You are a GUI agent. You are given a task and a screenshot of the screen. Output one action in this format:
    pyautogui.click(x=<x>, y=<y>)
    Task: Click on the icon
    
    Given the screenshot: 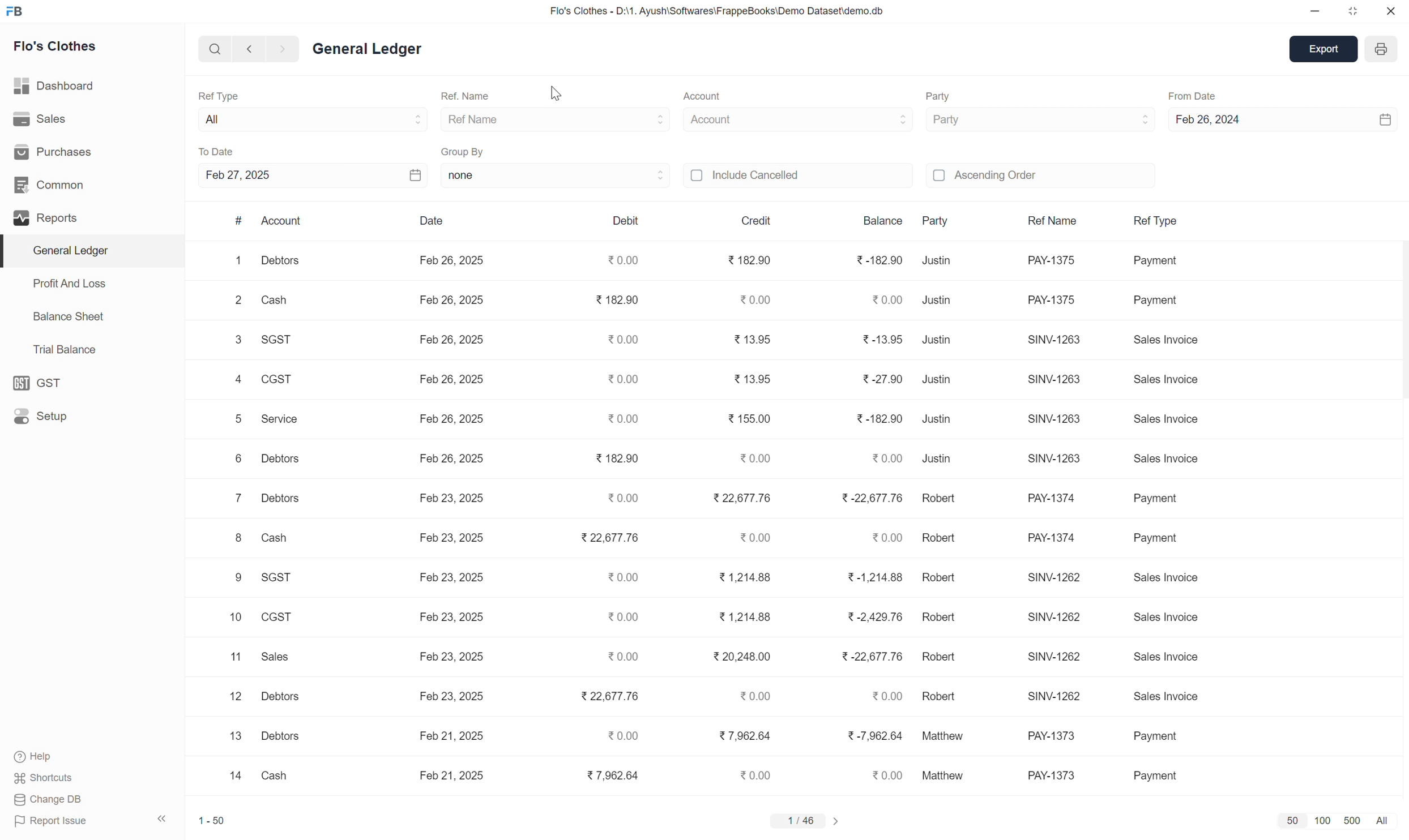 What is the action you would take?
    pyautogui.click(x=15, y=13)
    